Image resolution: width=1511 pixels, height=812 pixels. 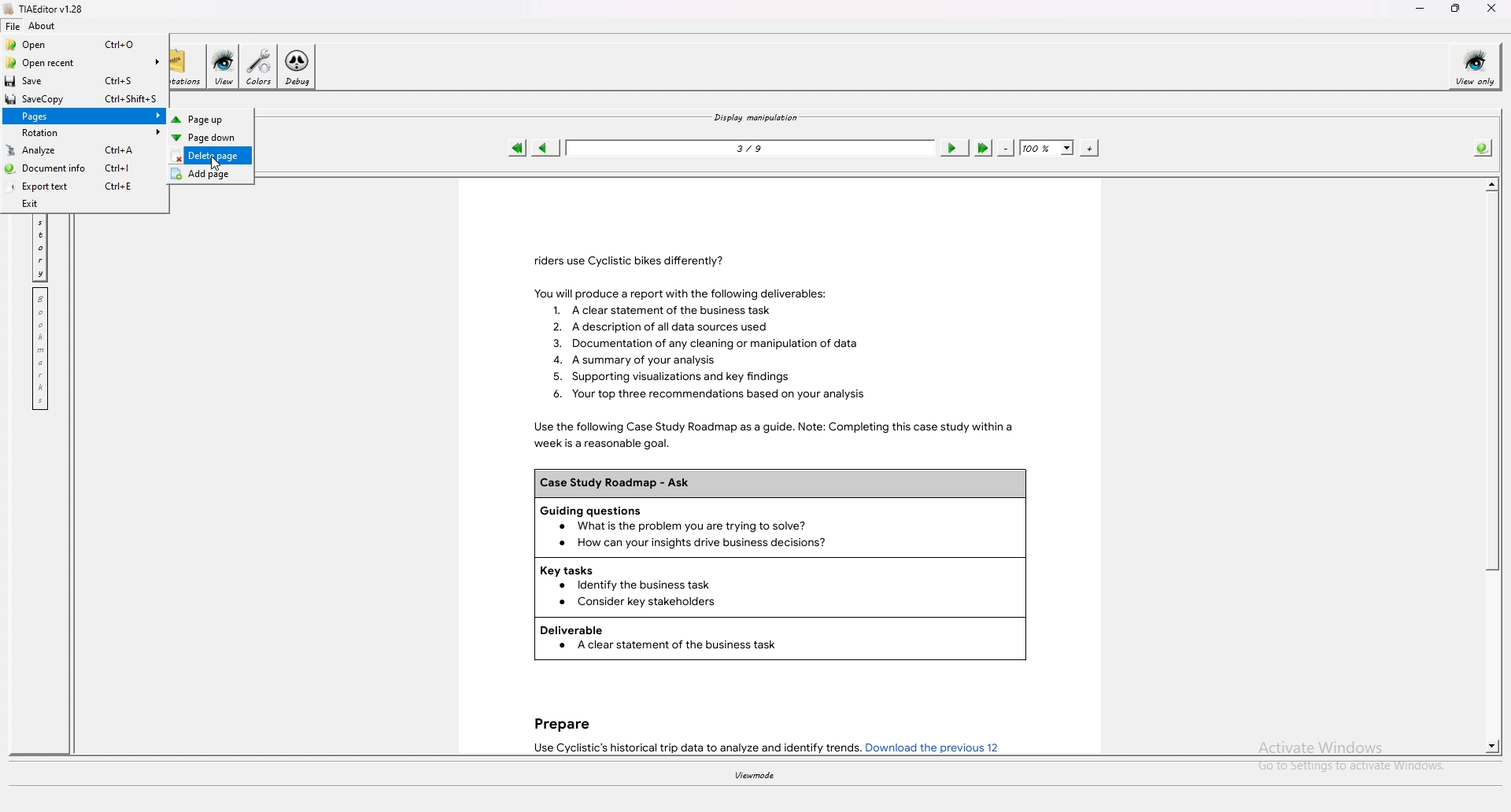 What do you see at coordinates (211, 156) in the screenshot?
I see `Delete page` at bounding box center [211, 156].